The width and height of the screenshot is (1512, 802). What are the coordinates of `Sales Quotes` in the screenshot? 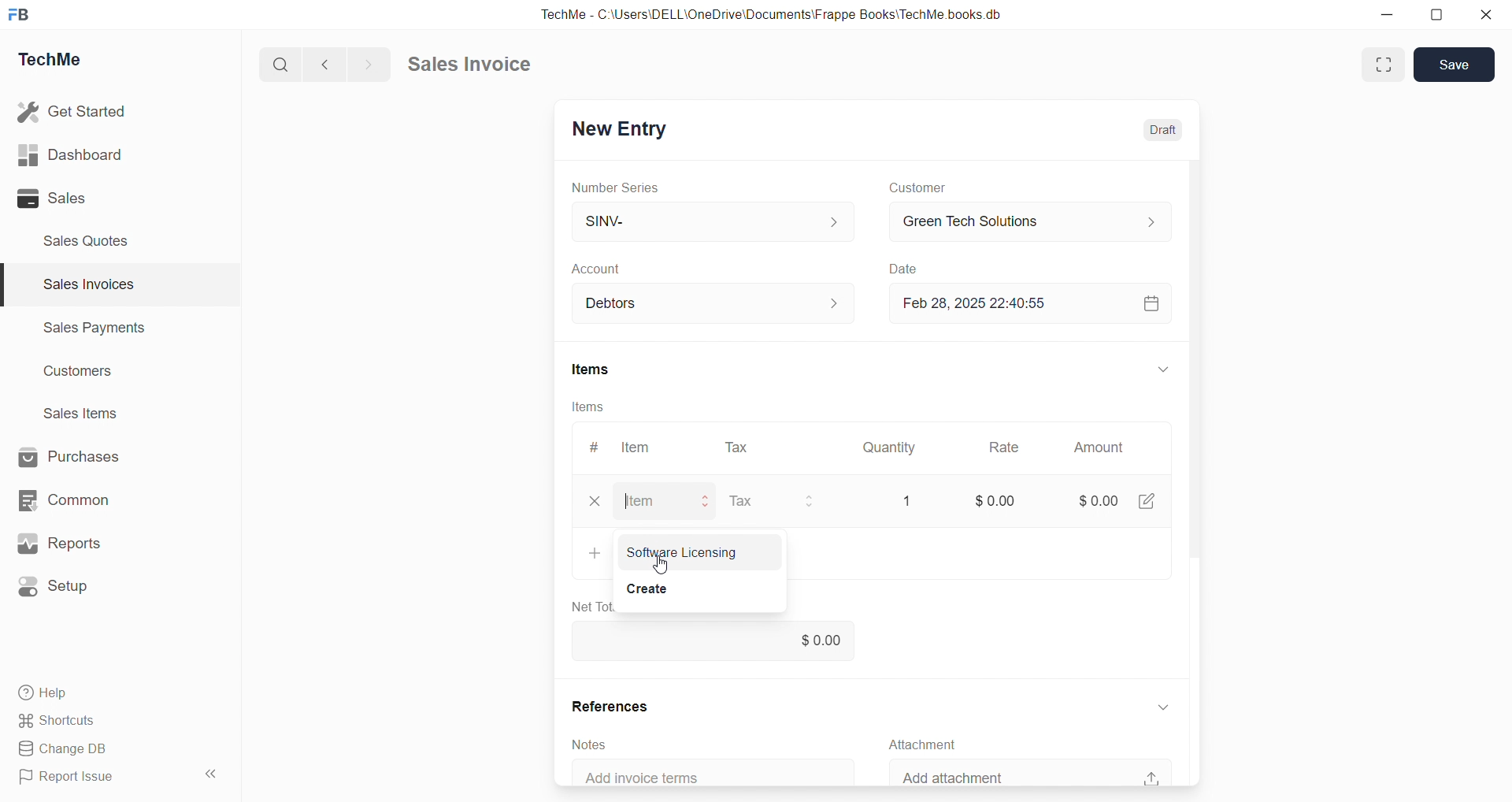 It's located at (87, 241).